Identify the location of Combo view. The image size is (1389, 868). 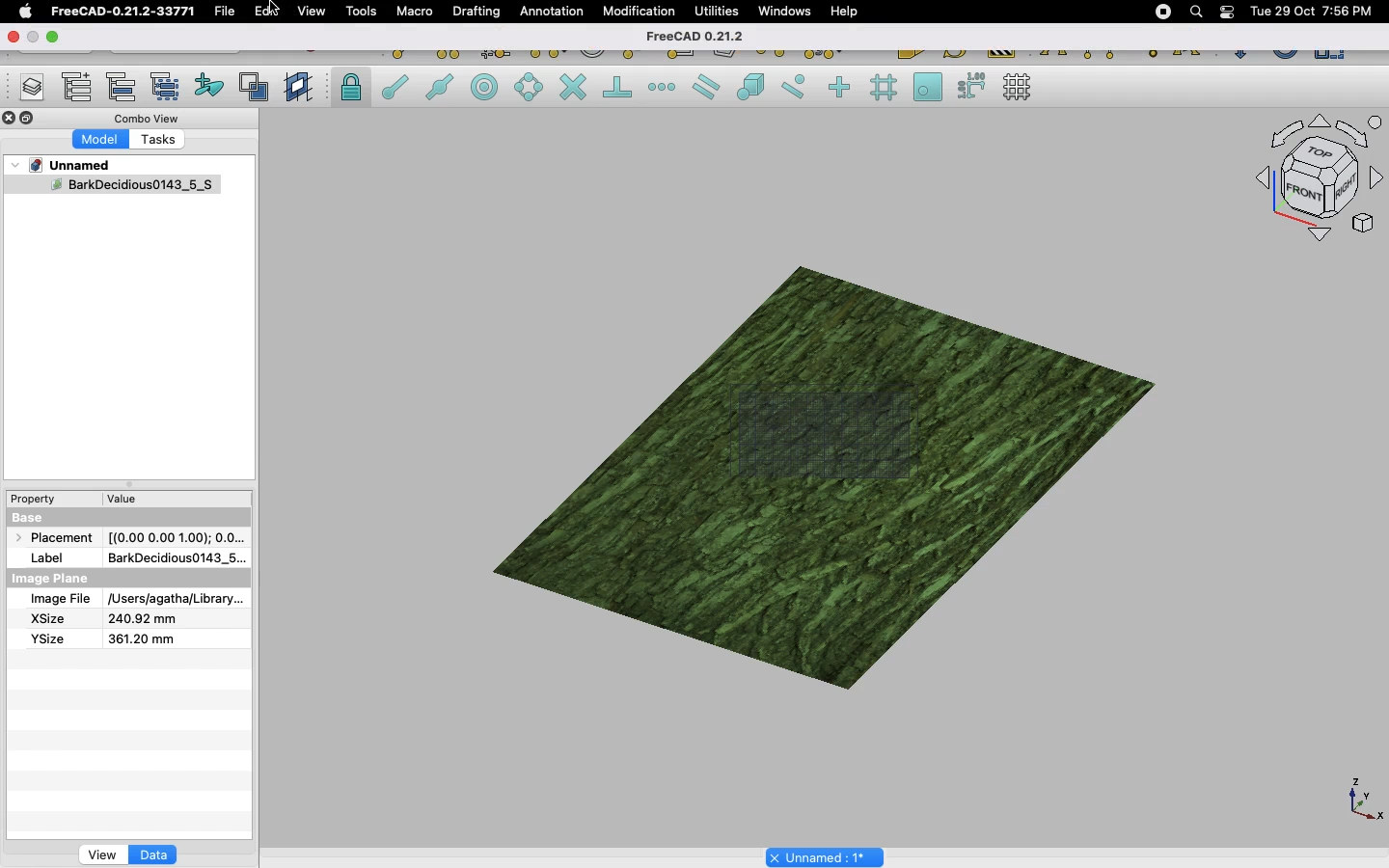
(149, 118).